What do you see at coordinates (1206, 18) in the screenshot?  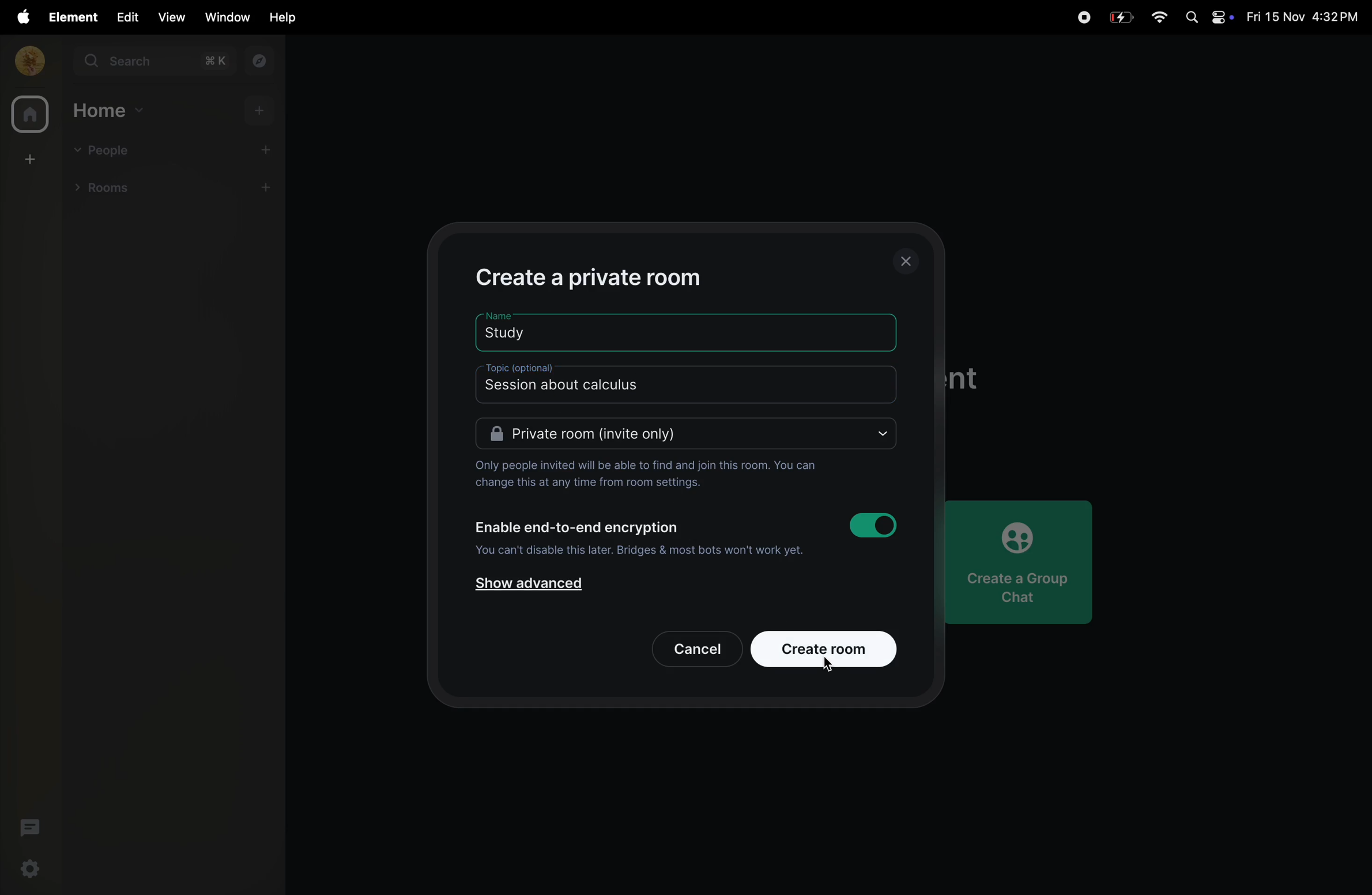 I see `apple widgets` at bounding box center [1206, 18].